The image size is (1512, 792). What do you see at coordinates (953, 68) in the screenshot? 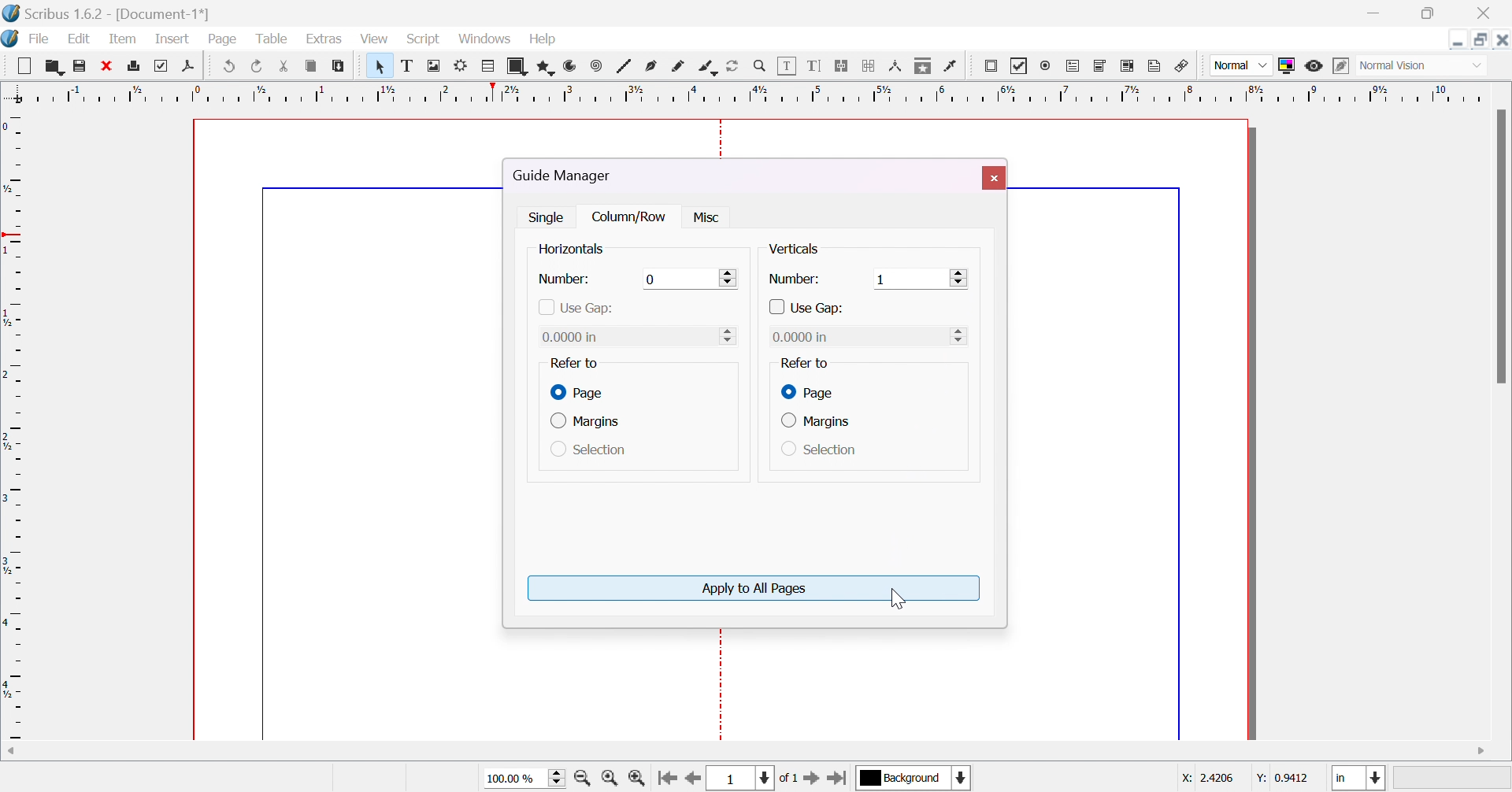
I see `eye dropper` at bounding box center [953, 68].